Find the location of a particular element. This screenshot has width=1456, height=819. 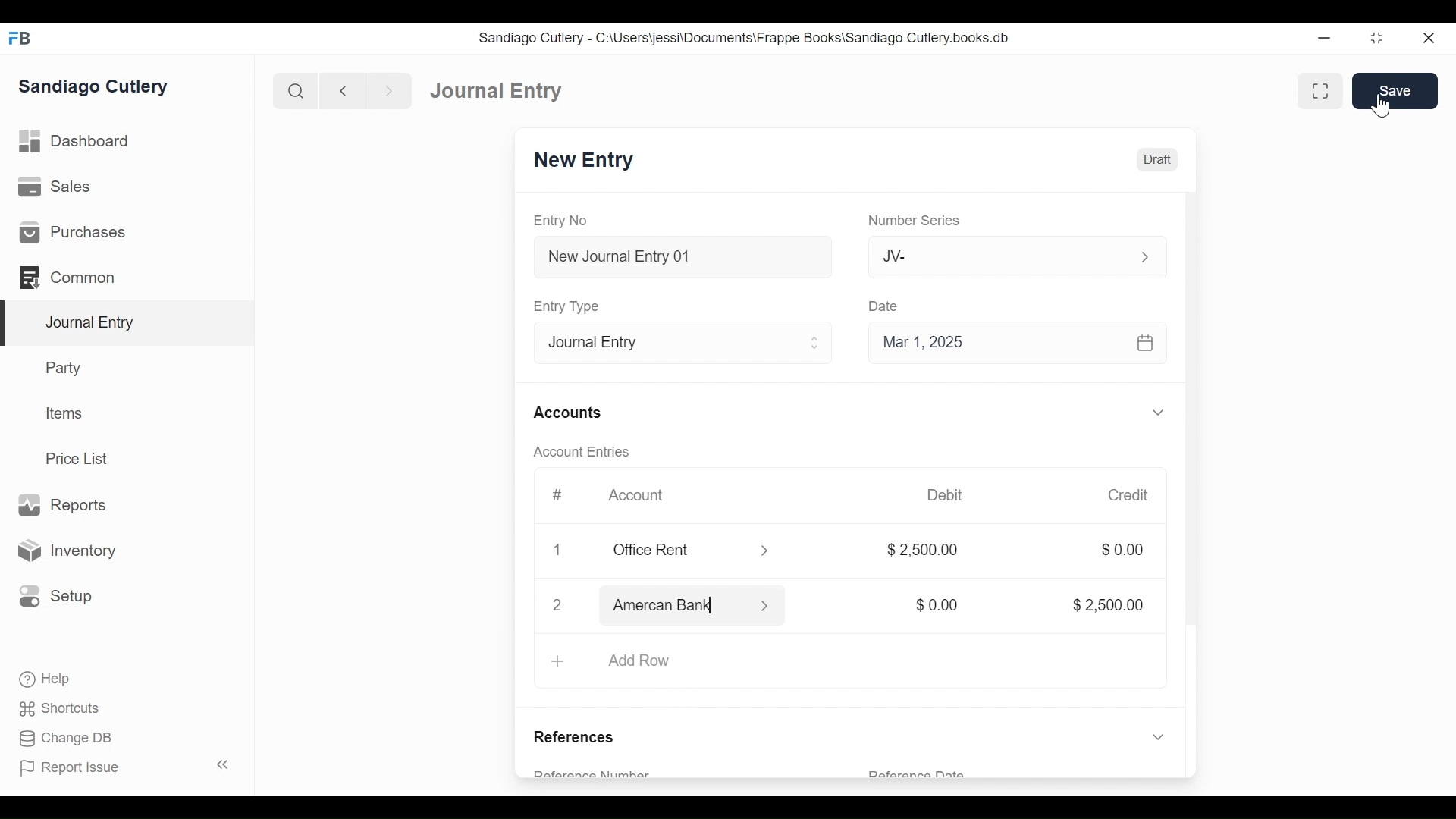

Save is located at coordinates (1395, 90).